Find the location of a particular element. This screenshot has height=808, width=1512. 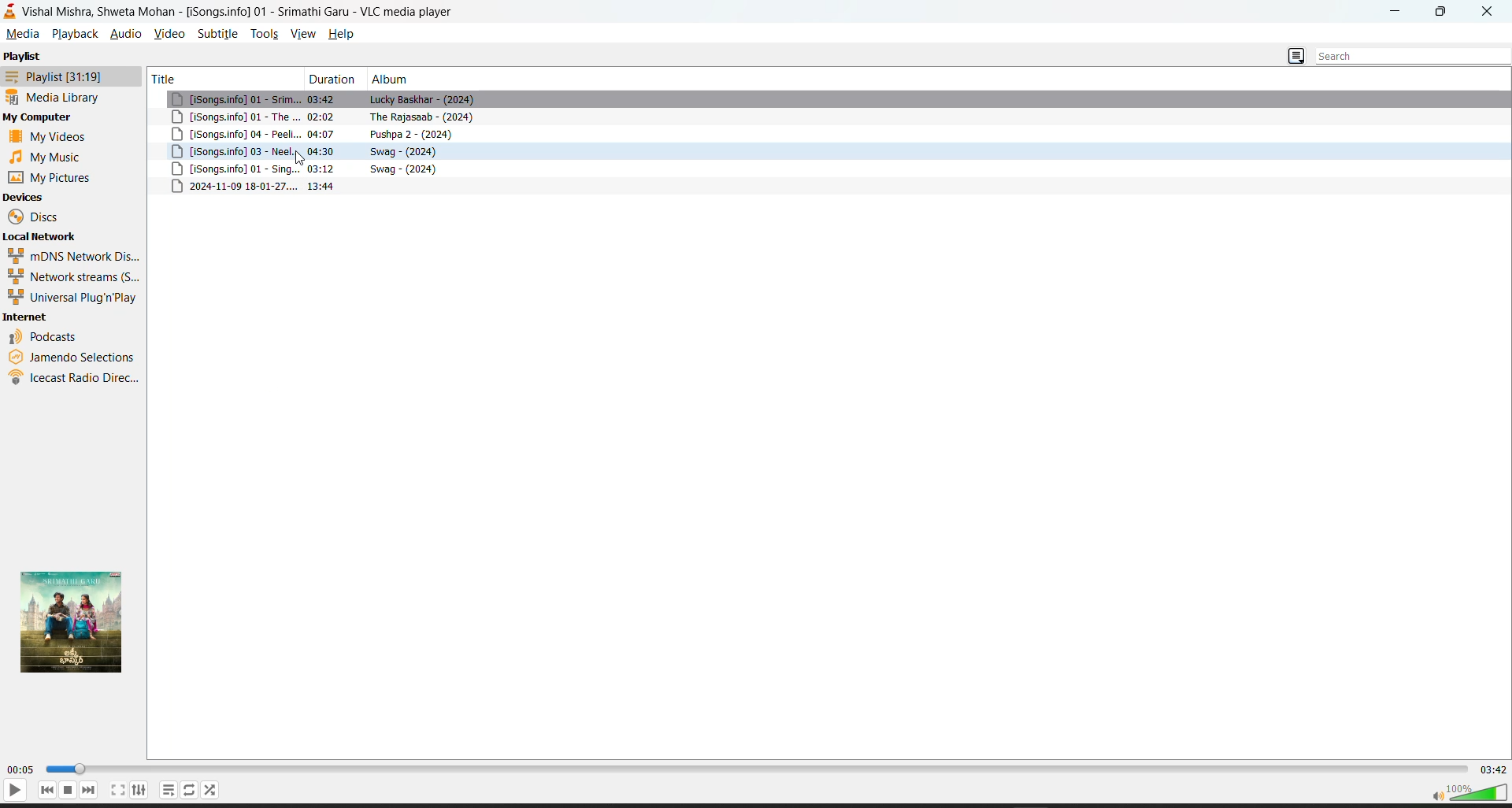

icecast is located at coordinates (74, 380).